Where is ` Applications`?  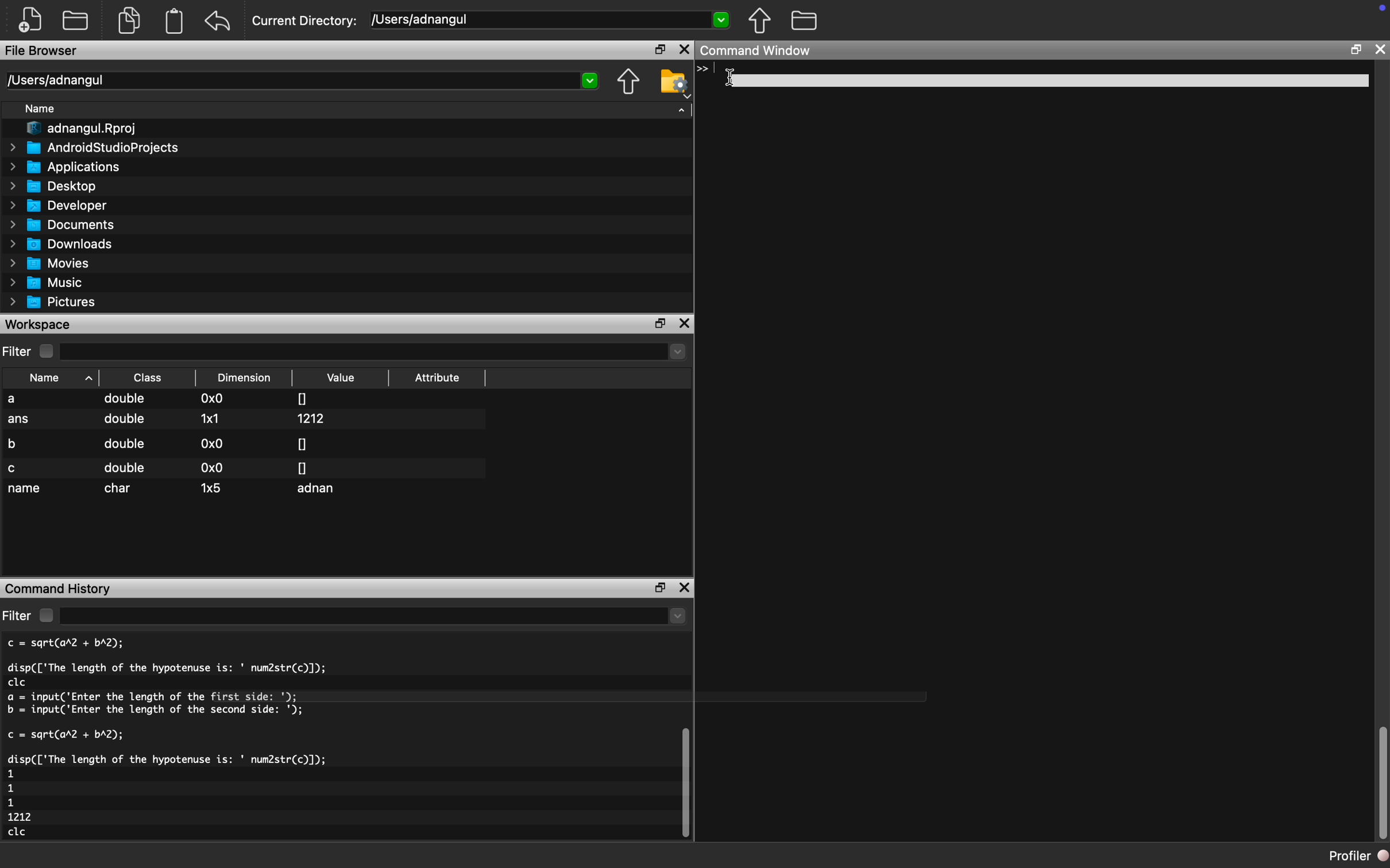  Applications is located at coordinates (70, 166).